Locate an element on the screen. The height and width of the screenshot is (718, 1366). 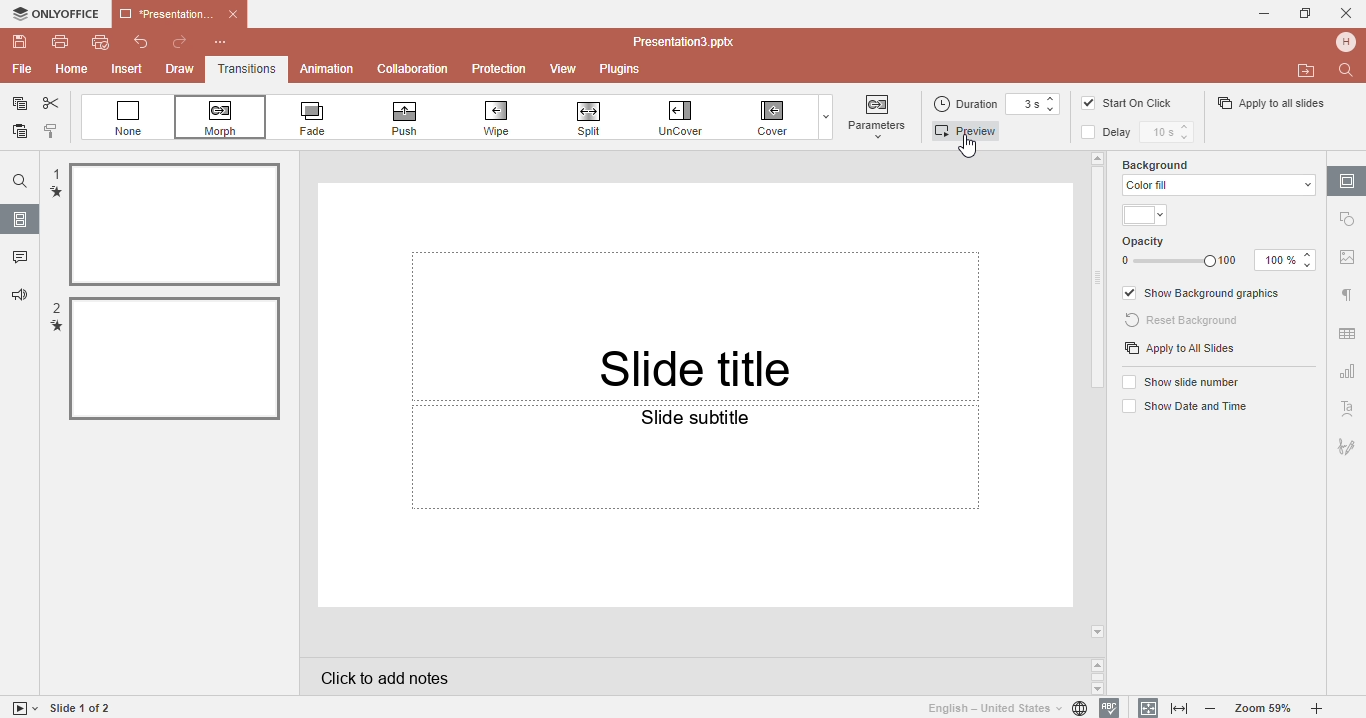
Comments is located at coordinates (19, 259).